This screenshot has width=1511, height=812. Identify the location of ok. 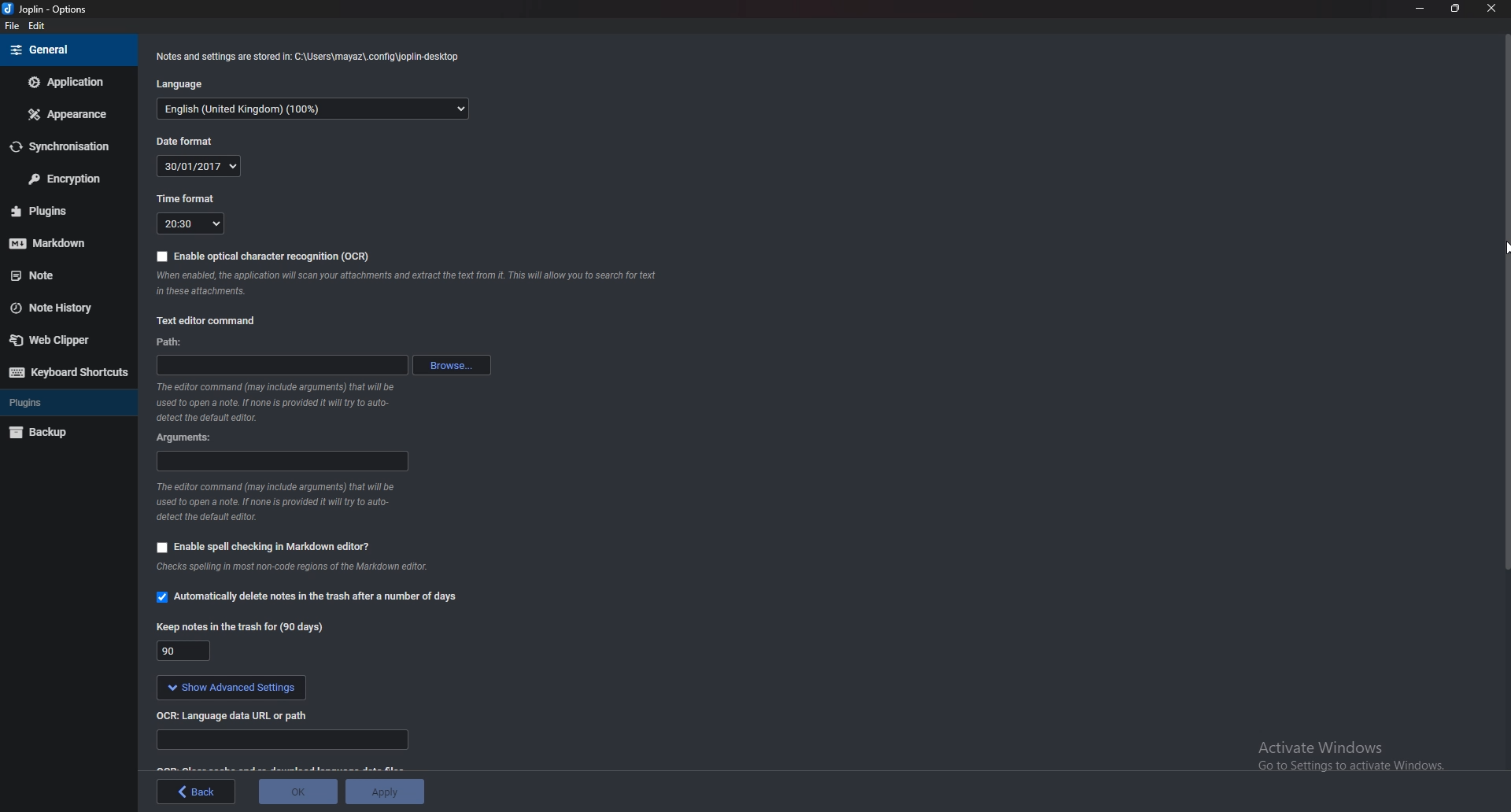
(300, 792).